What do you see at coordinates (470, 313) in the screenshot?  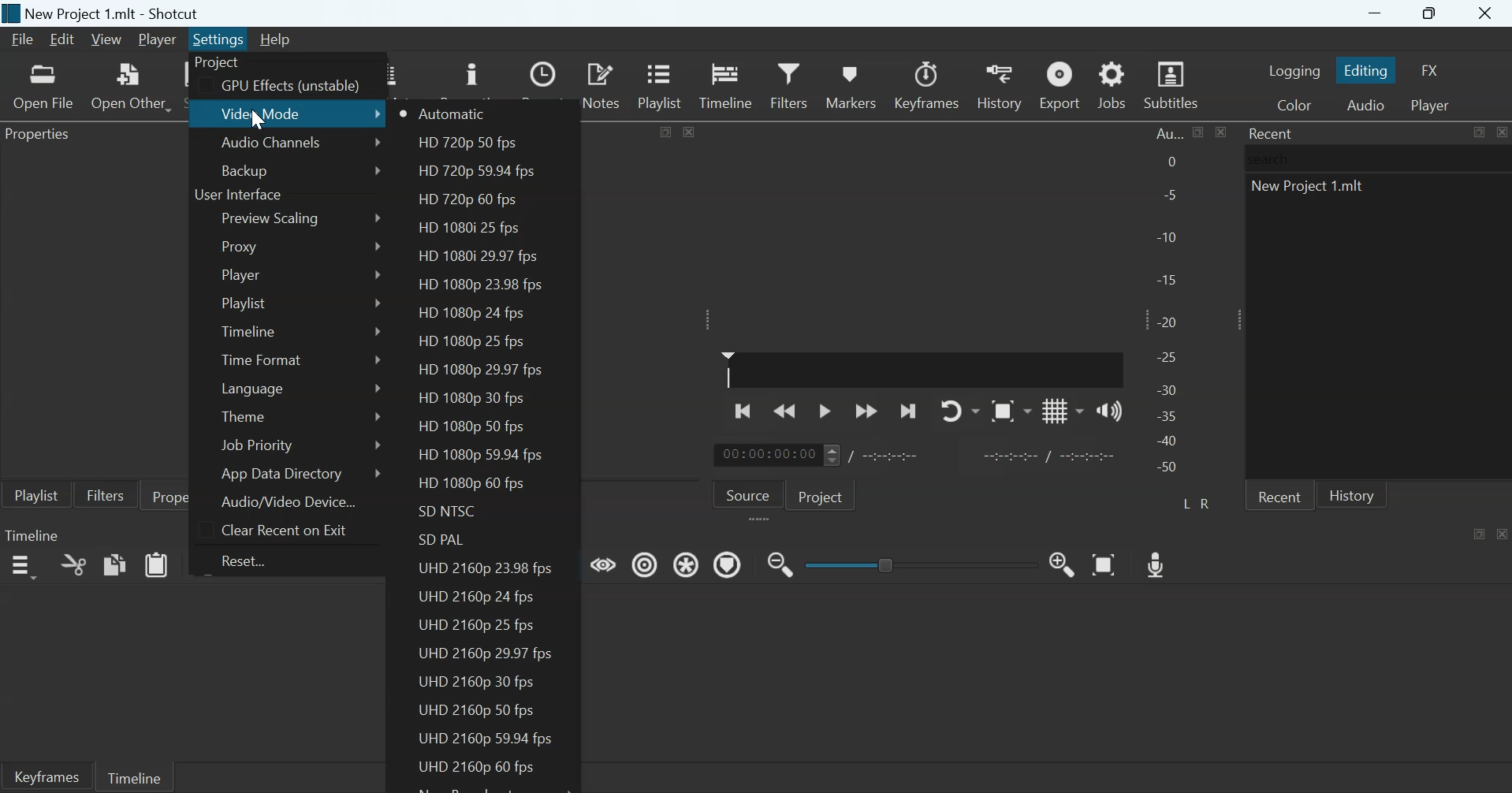 I see `HD 1080p 24fps` at bounding box center [470, 313].